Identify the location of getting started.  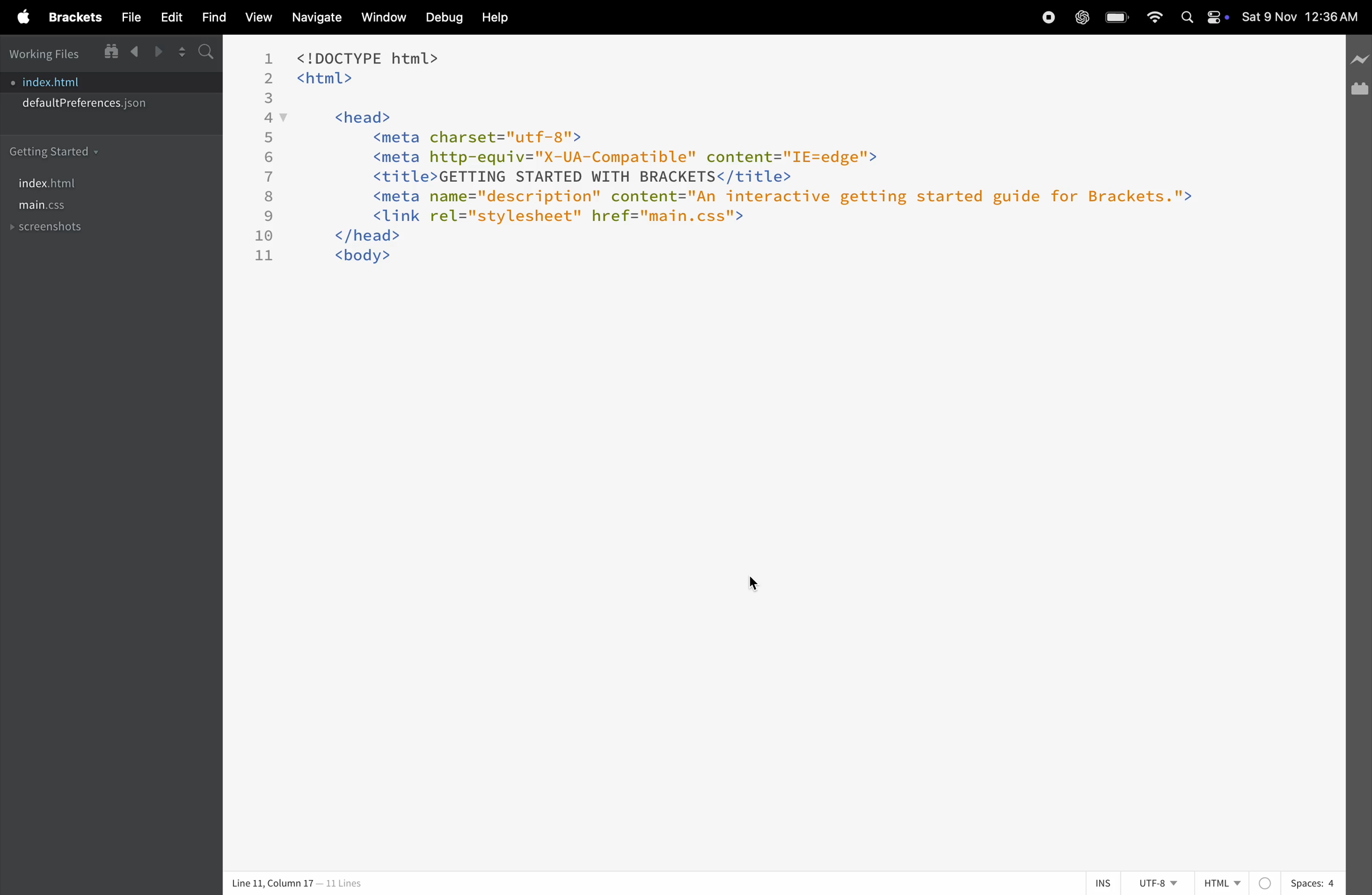
(61, 149).